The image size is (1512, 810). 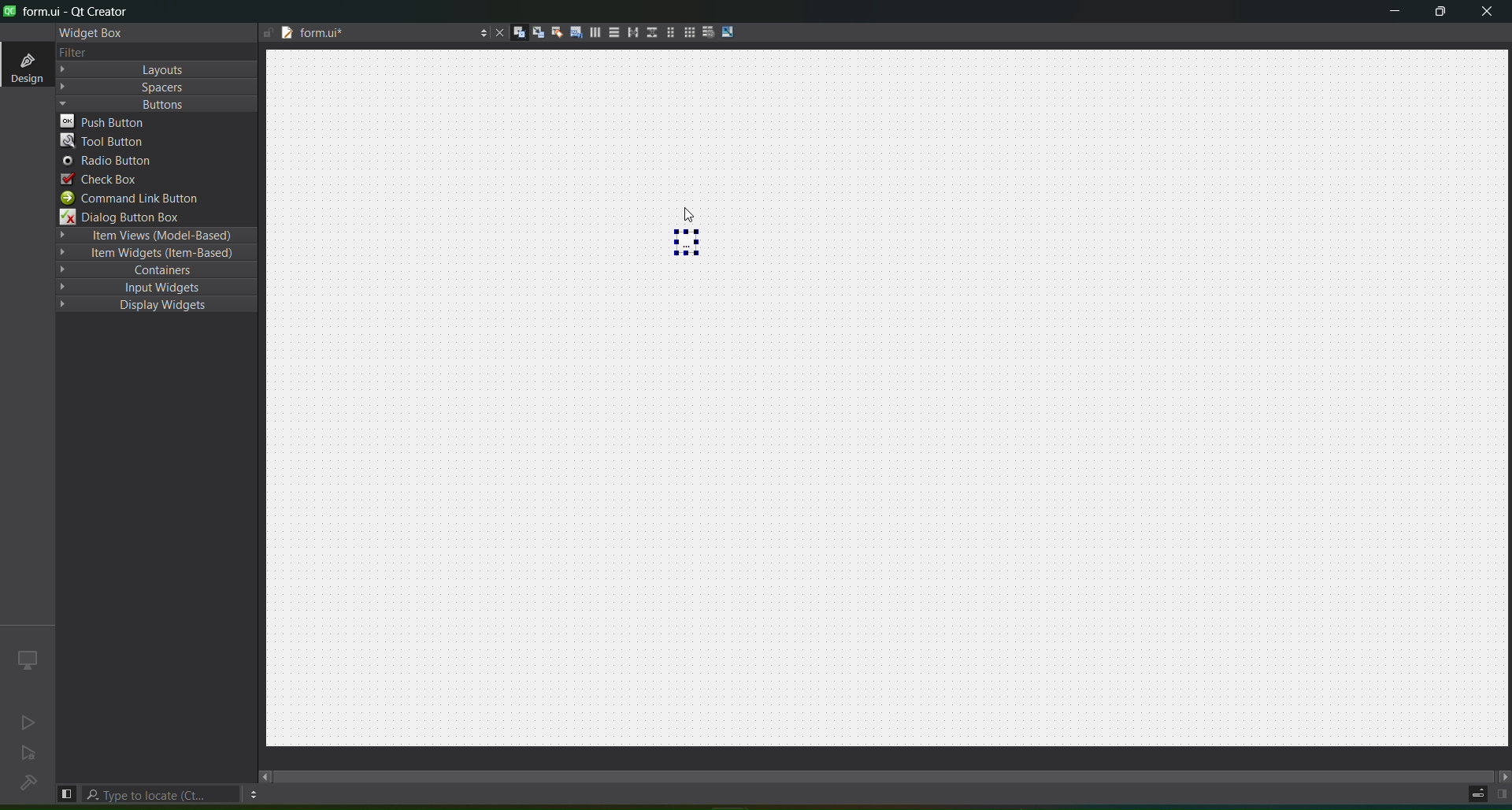 I want to click on move left, so click(x=263, y=775).